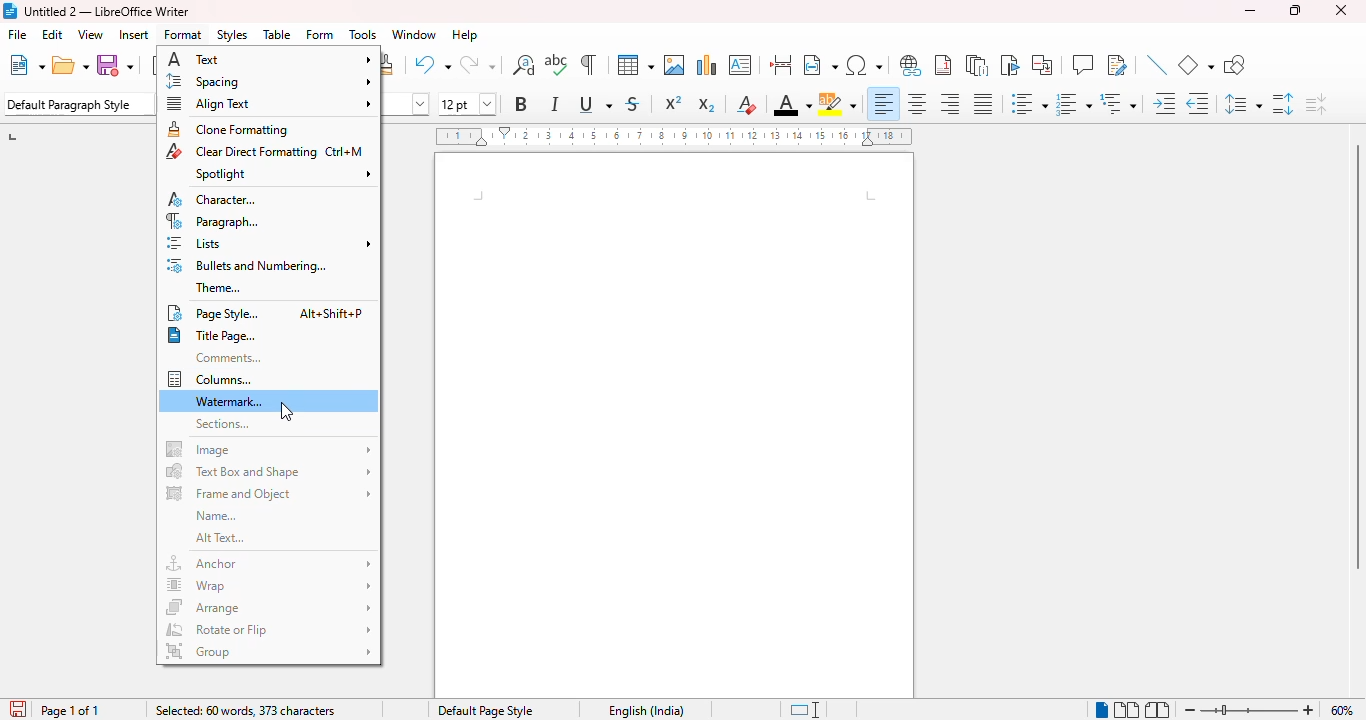 This screenshot has width=1366, height=720. What do you see at coordinates (268, 81) in the screenshot?
I see `spacing` at bounding box center [268, 81].